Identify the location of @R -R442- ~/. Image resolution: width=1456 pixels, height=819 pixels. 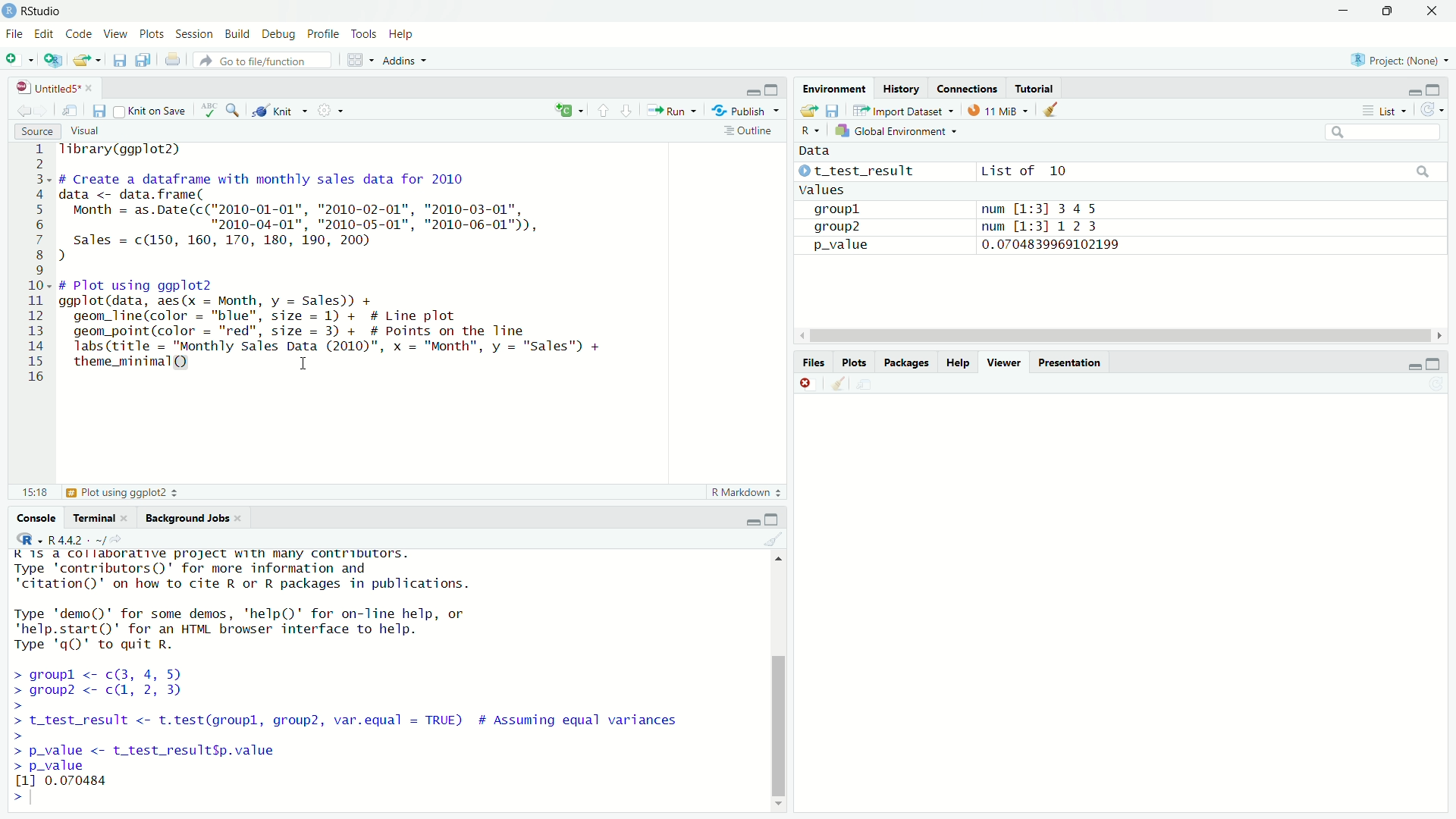
(63, 540).